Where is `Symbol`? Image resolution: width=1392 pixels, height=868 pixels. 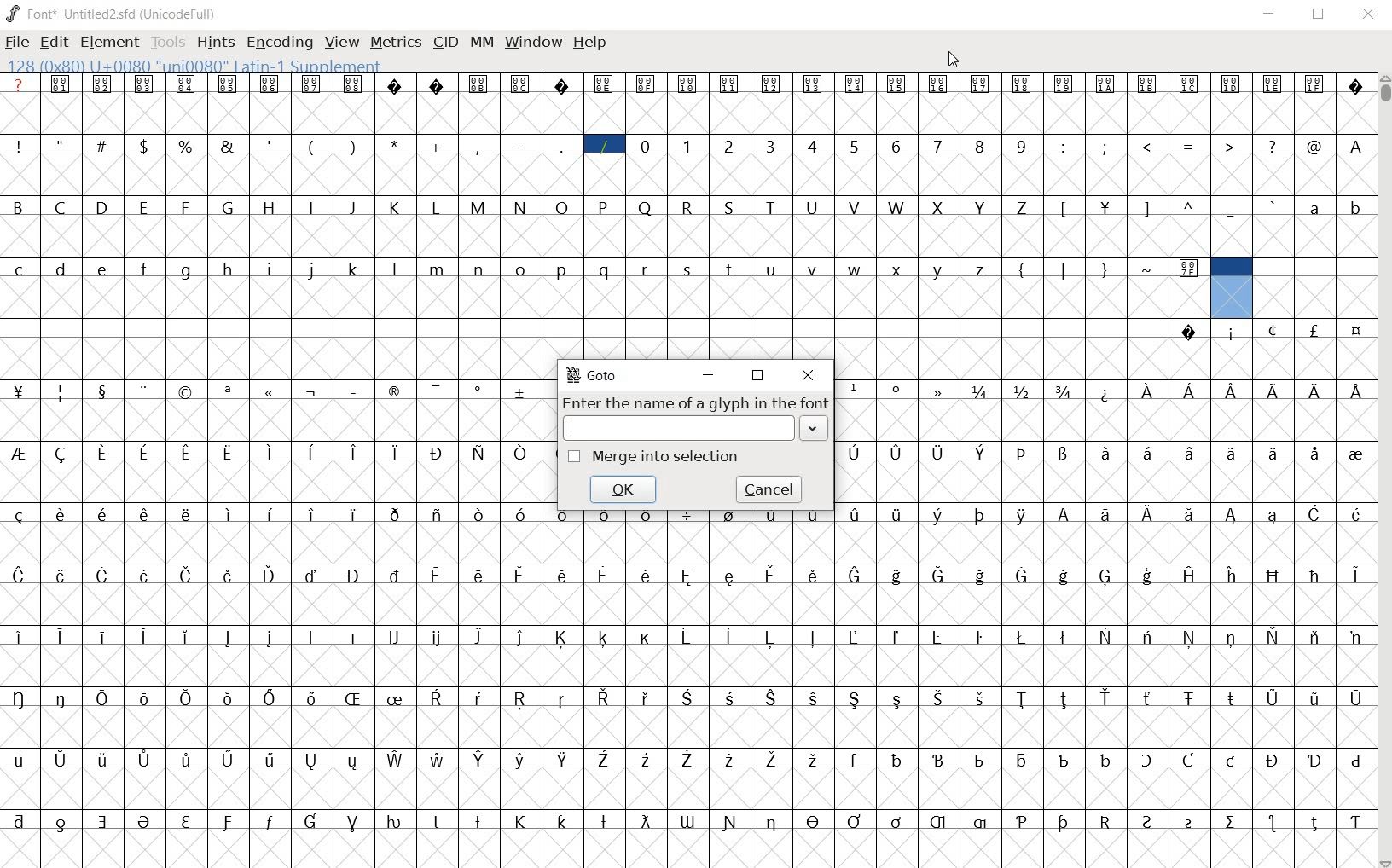 Symbol is located at coordinates (1146, 637).